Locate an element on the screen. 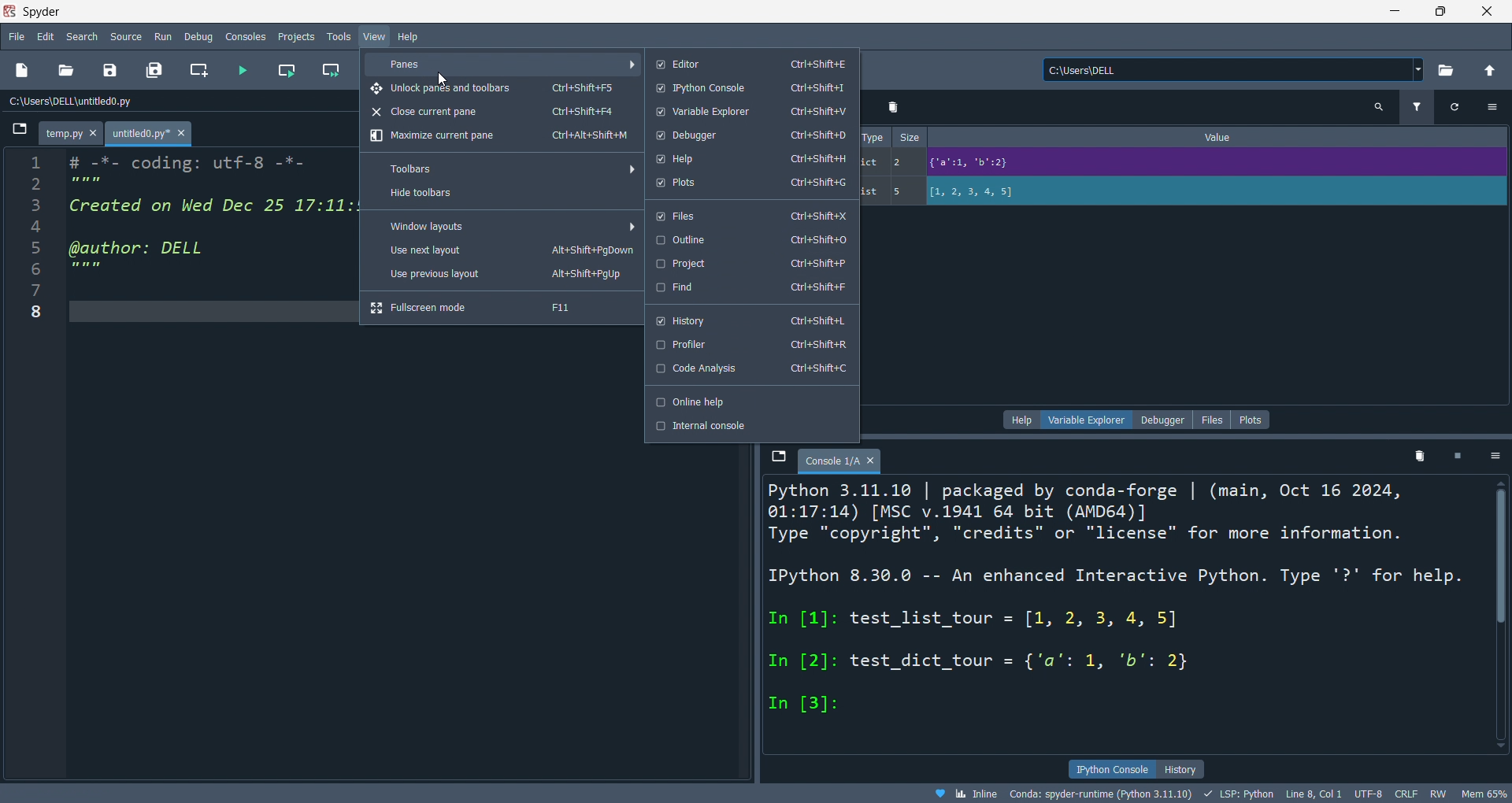  Code editor section is located at coordinates (207, 463).